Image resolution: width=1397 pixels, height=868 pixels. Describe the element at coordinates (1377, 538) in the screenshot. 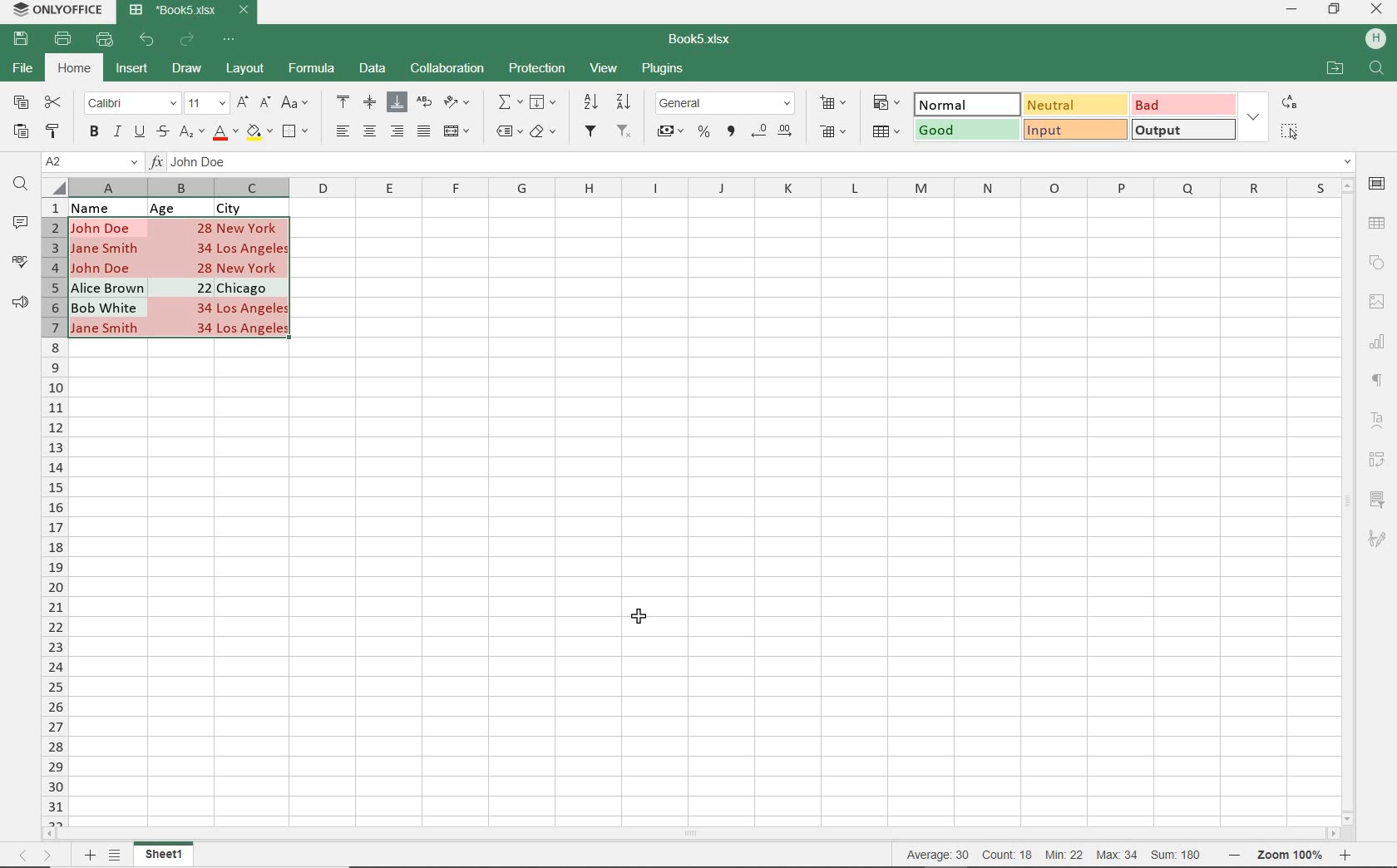

I see `SIGNATURE` at that location.